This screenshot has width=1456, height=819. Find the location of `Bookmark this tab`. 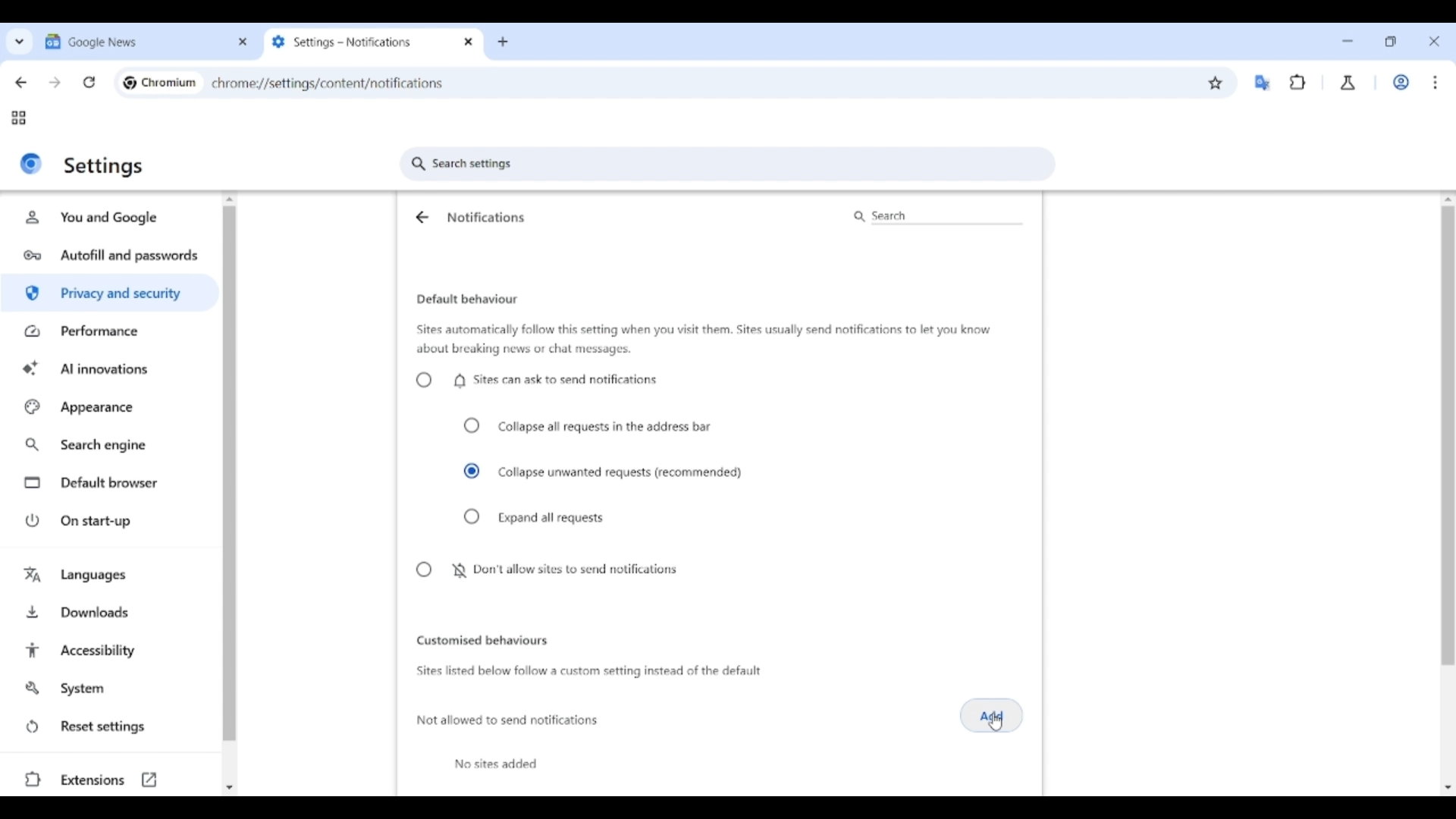

Bookmark this tab is located at coordinates (1216, 83).